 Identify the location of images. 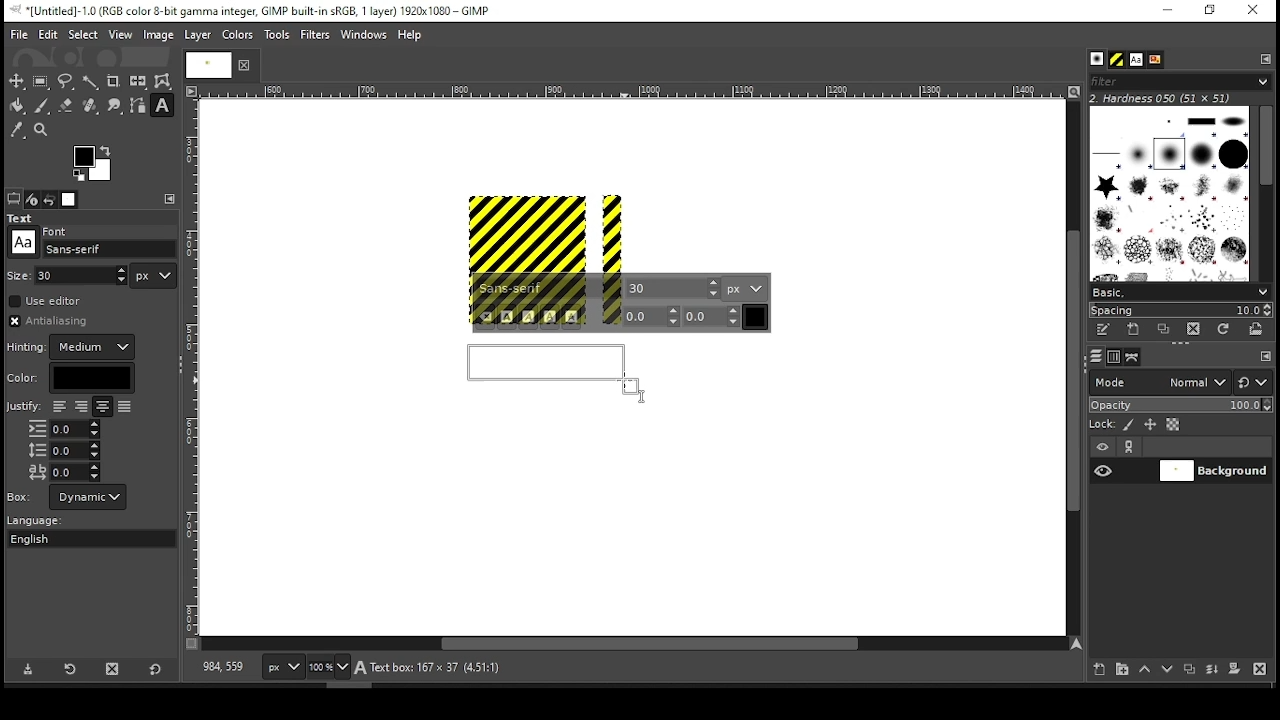
(70, 200).